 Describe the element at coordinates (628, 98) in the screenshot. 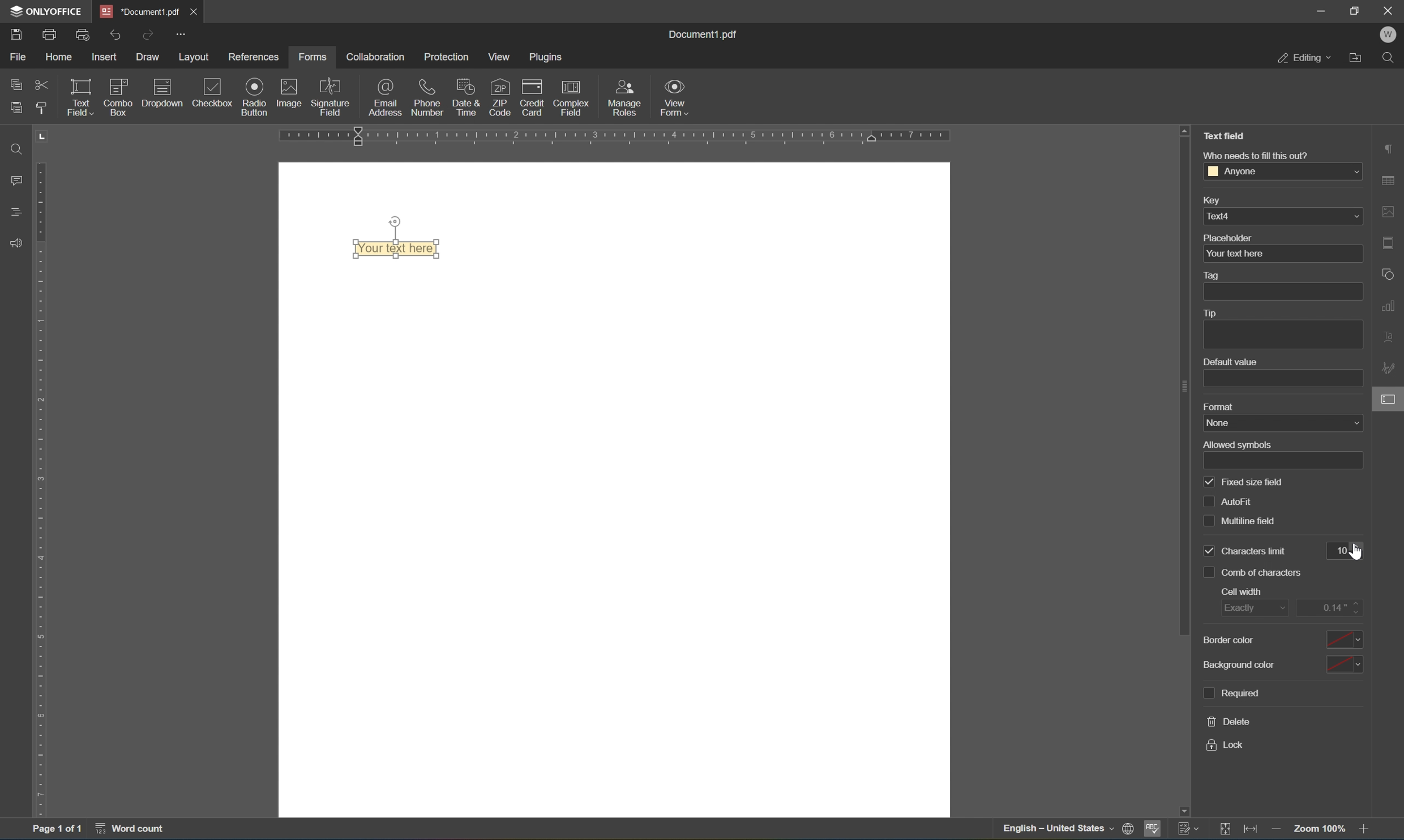

I see `manage roles` at that location.